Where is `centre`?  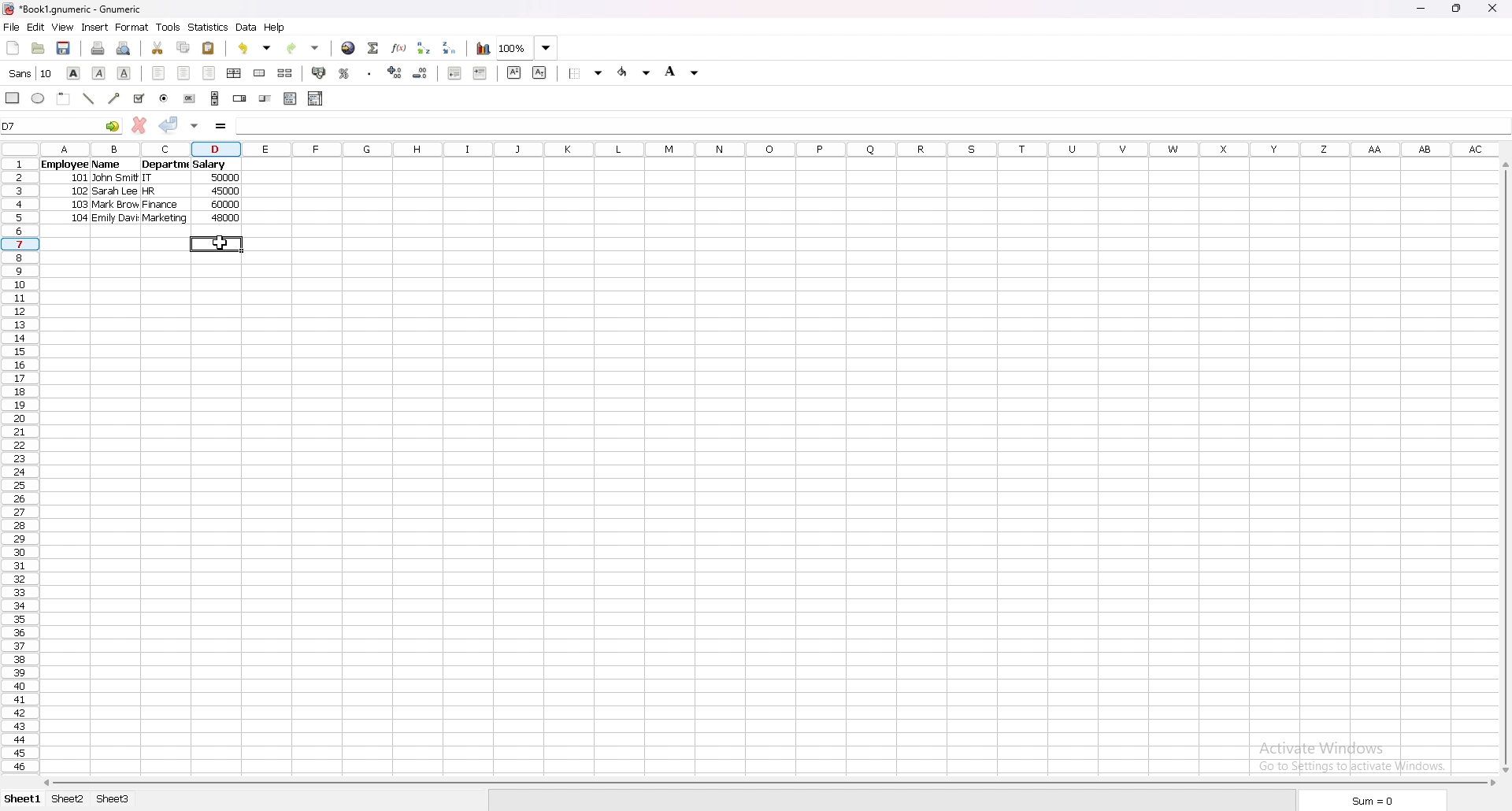 centre is located at coordinates (184, 73).